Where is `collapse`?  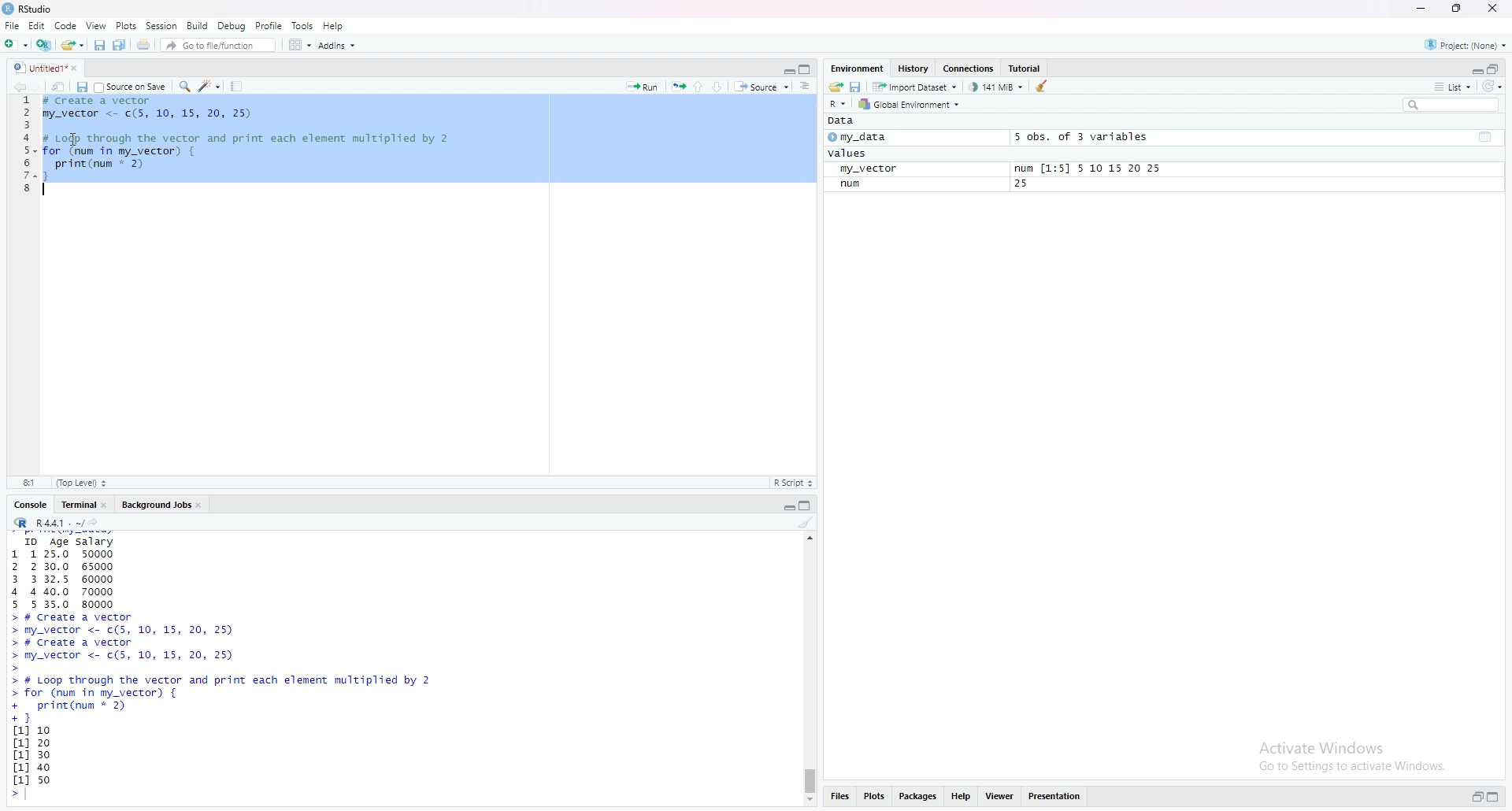 collapse is located at coordinates (810, 505).